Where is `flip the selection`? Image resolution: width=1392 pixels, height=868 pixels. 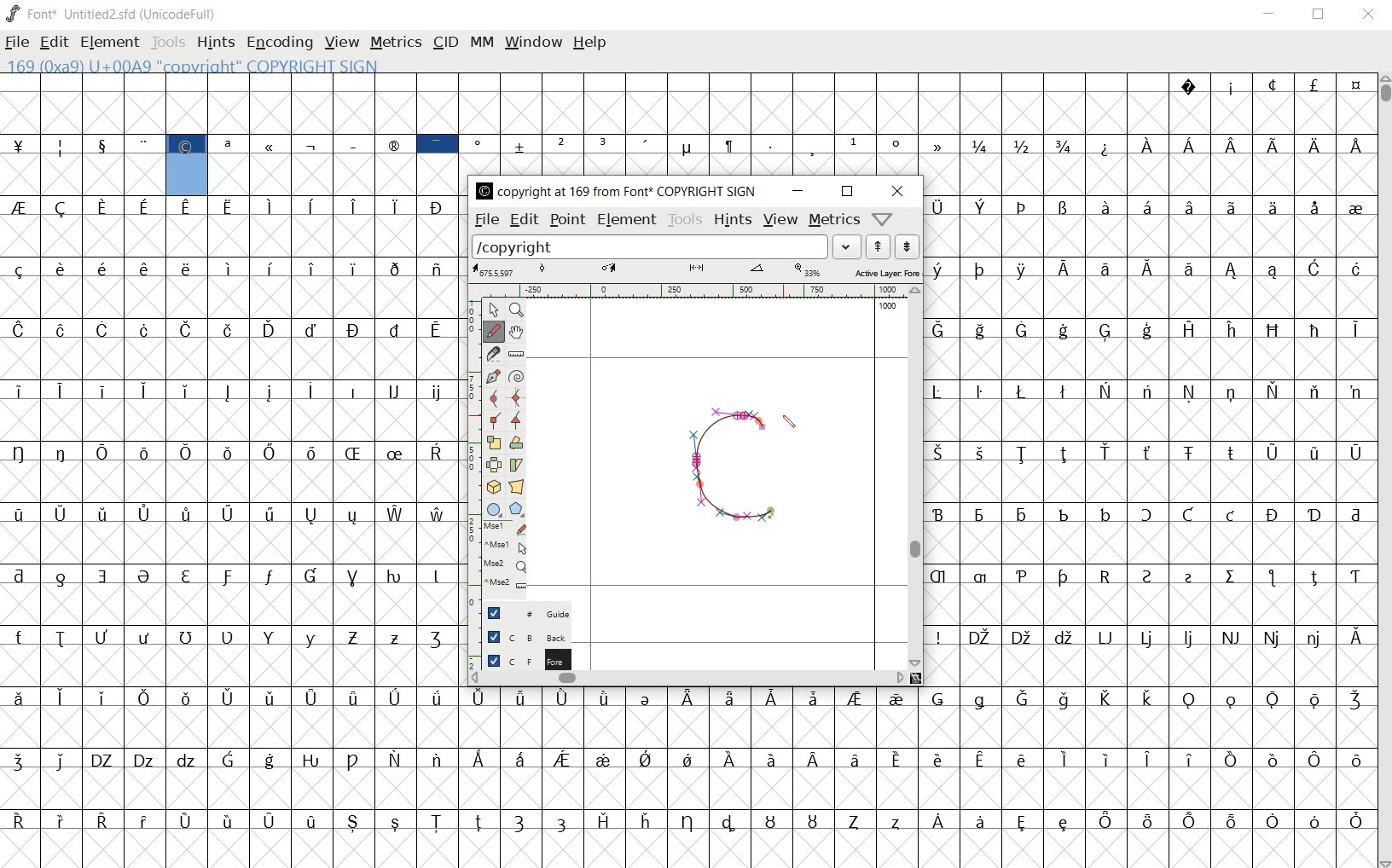
flip the selection is located at coordinates (495, 465).